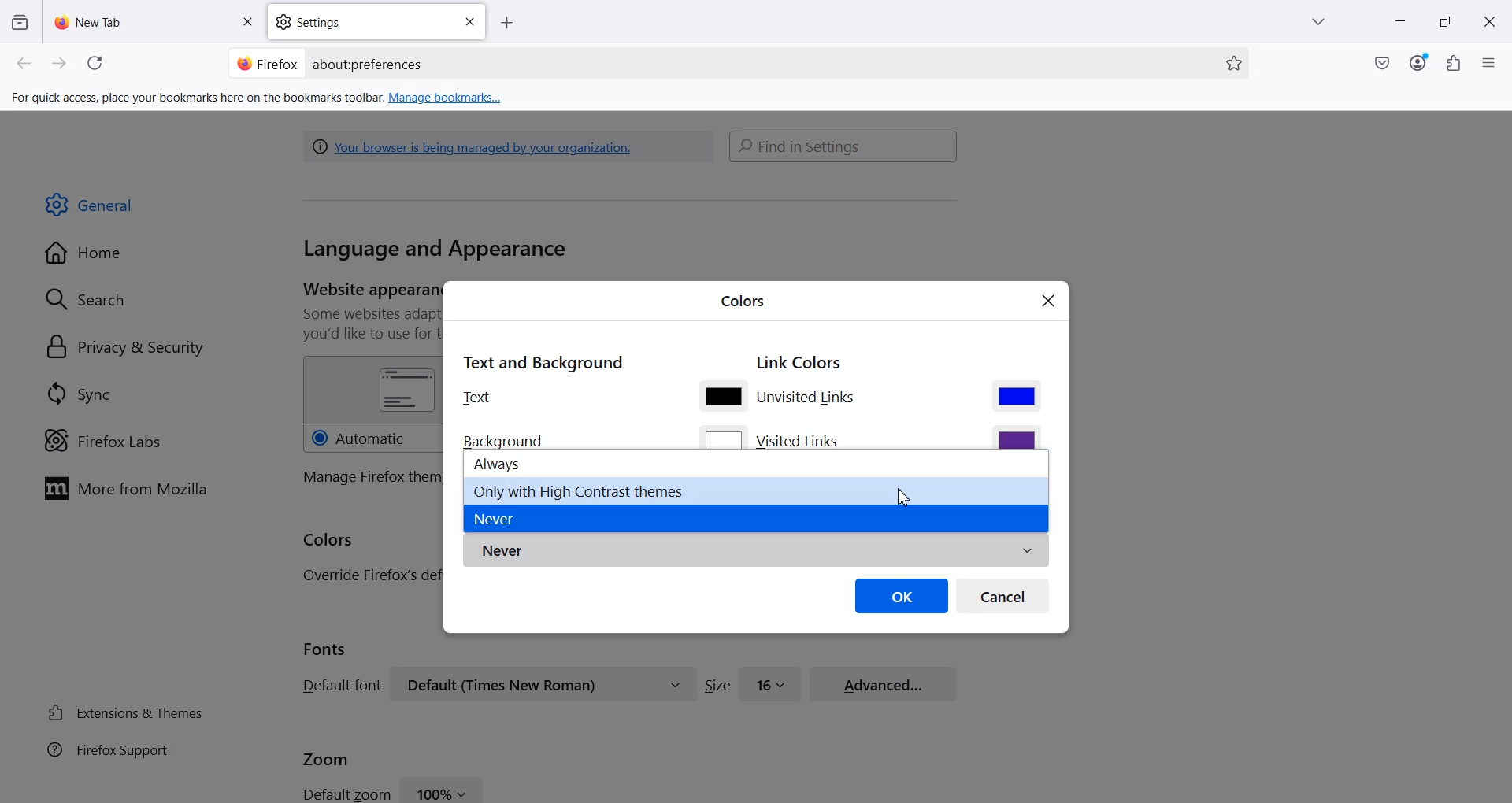 This screenshot has width=1512, height=803. What do you see at coordinates (1016, 437) in the screenshot?
I see `Choose Color` at bounding box center [1016, 437].